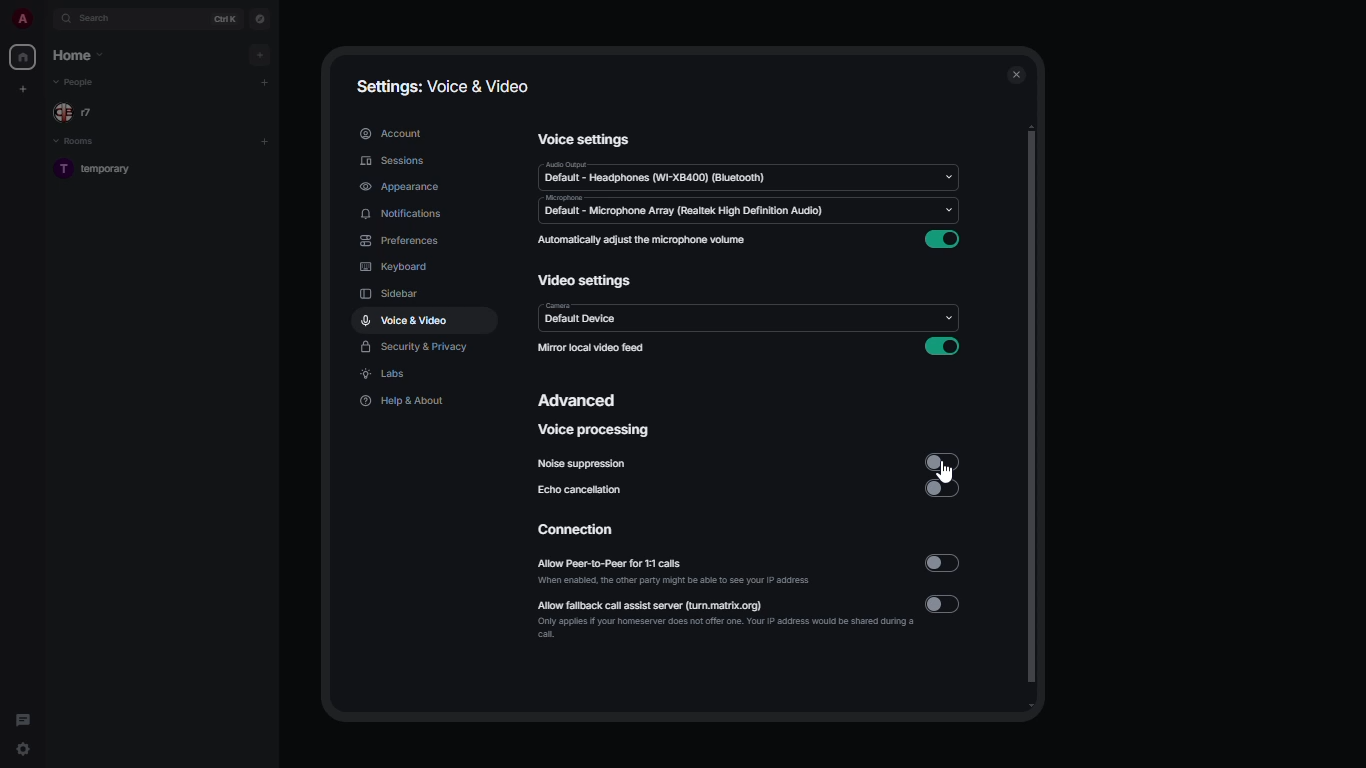 Image resolution: width=1366 pixels, height=768 pixels. I want to click on home, so click(24, 57).